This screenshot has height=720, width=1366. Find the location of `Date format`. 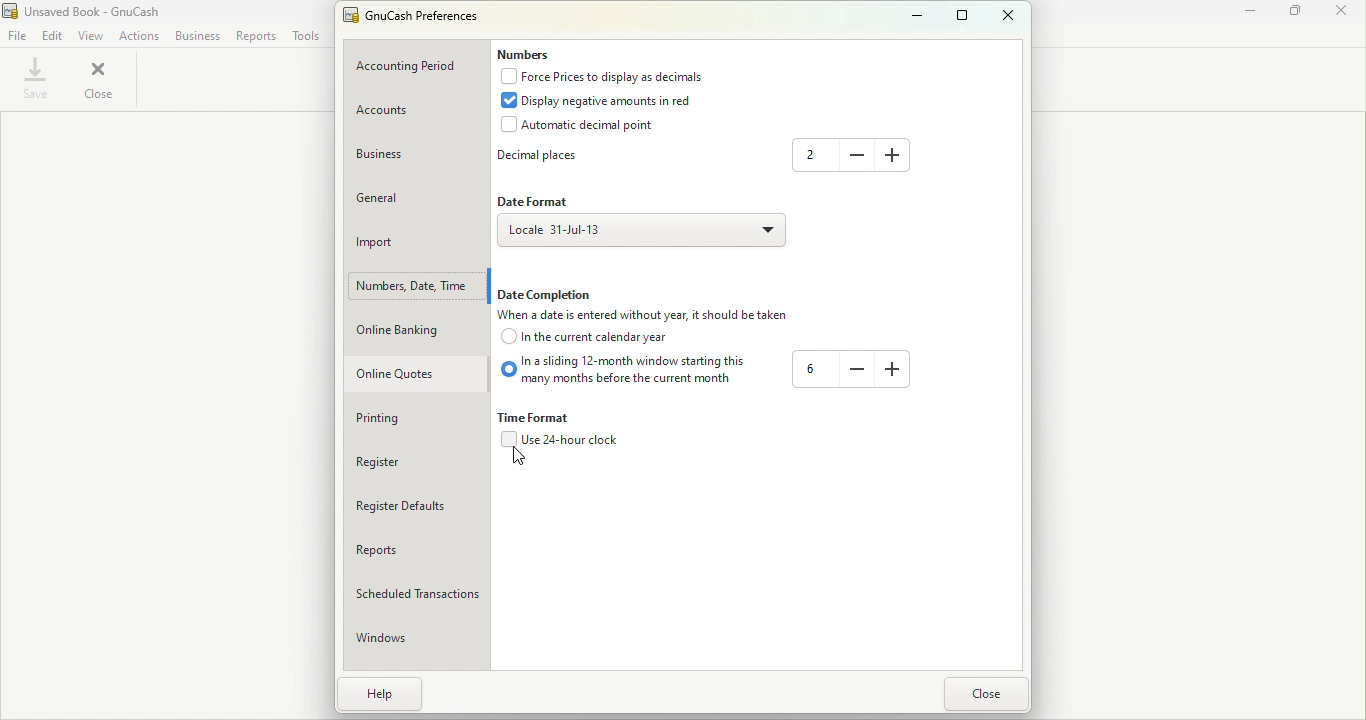

Date format is located at coordinates (536, 200).